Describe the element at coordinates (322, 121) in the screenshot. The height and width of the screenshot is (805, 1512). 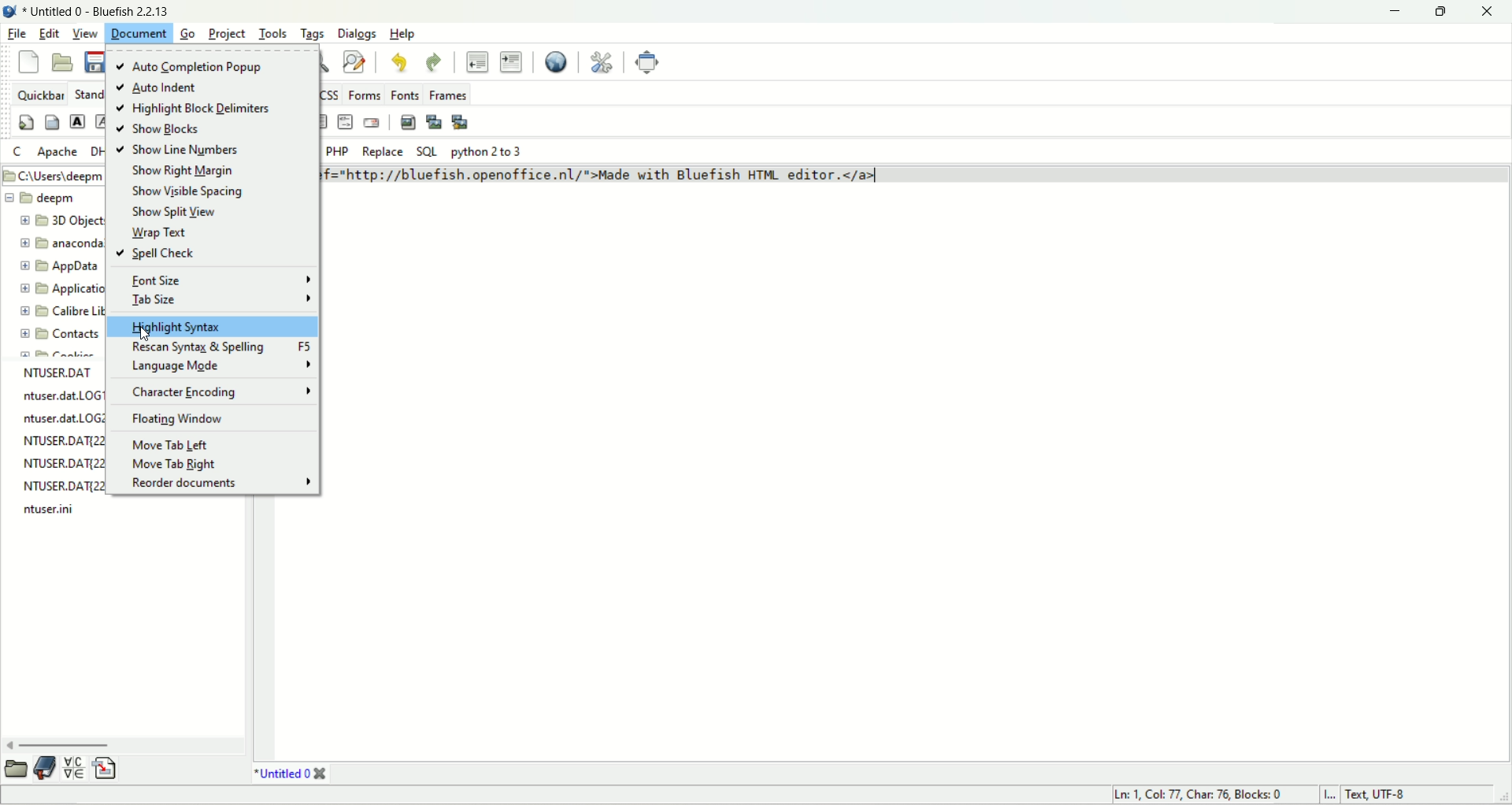
I see `right justify` at that location.